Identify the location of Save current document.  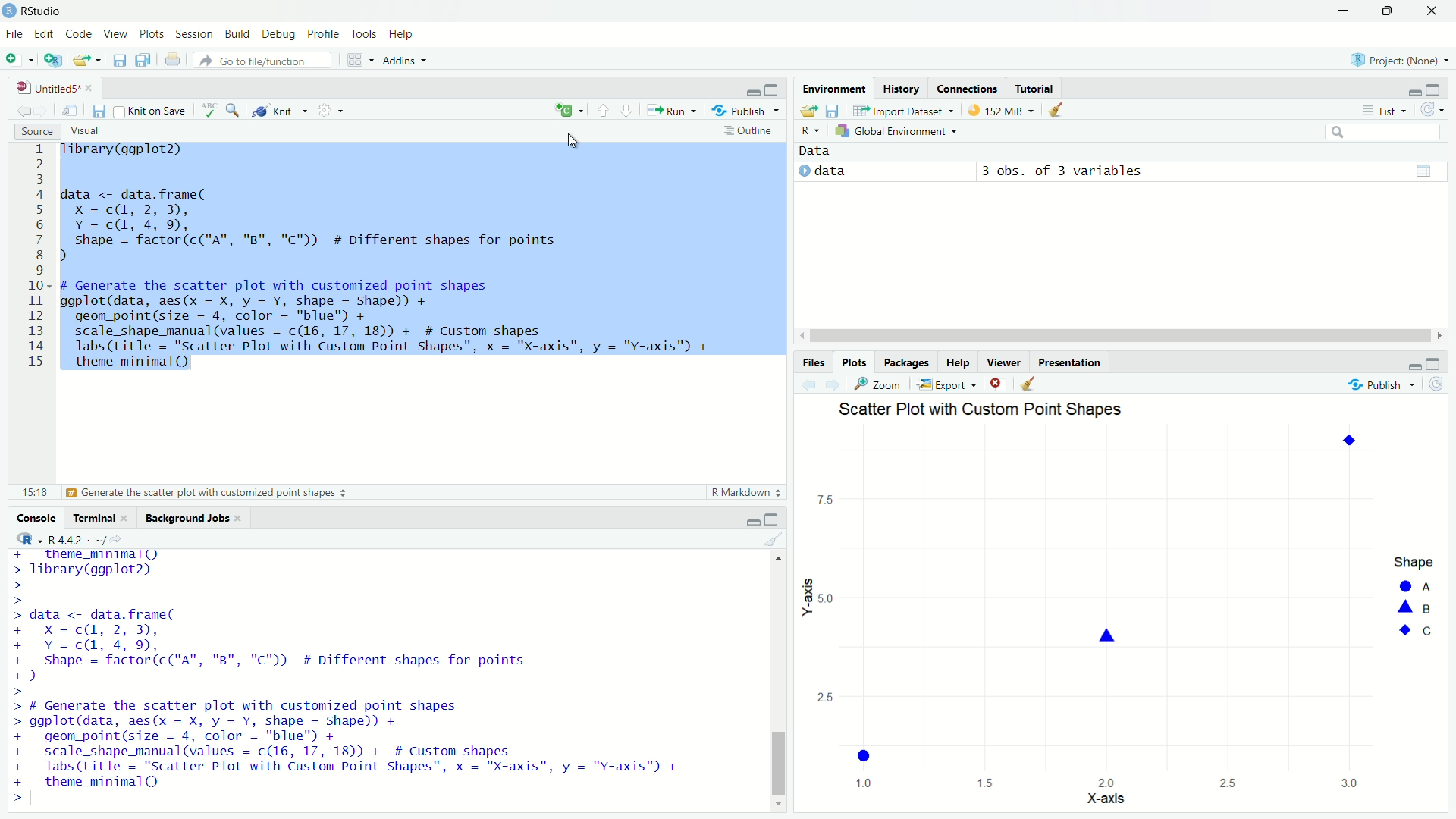
(99, 111).